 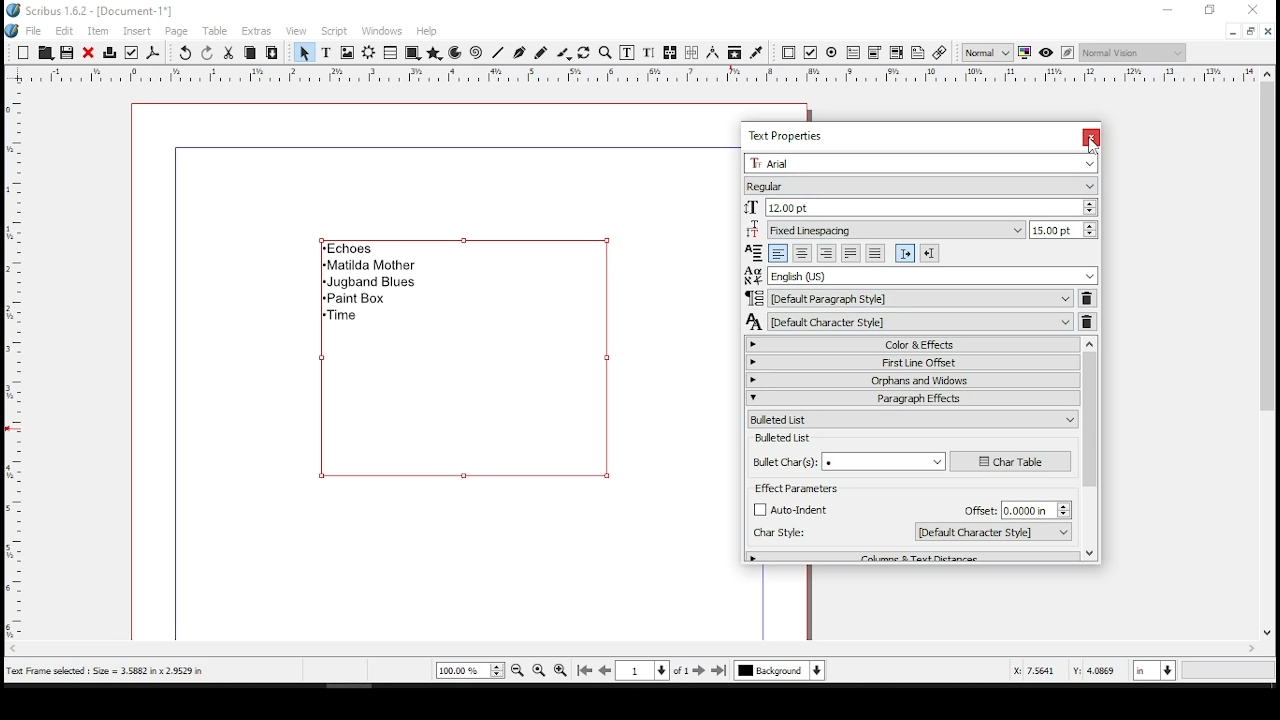 I want to click on insert, so click(x=138, y=30).